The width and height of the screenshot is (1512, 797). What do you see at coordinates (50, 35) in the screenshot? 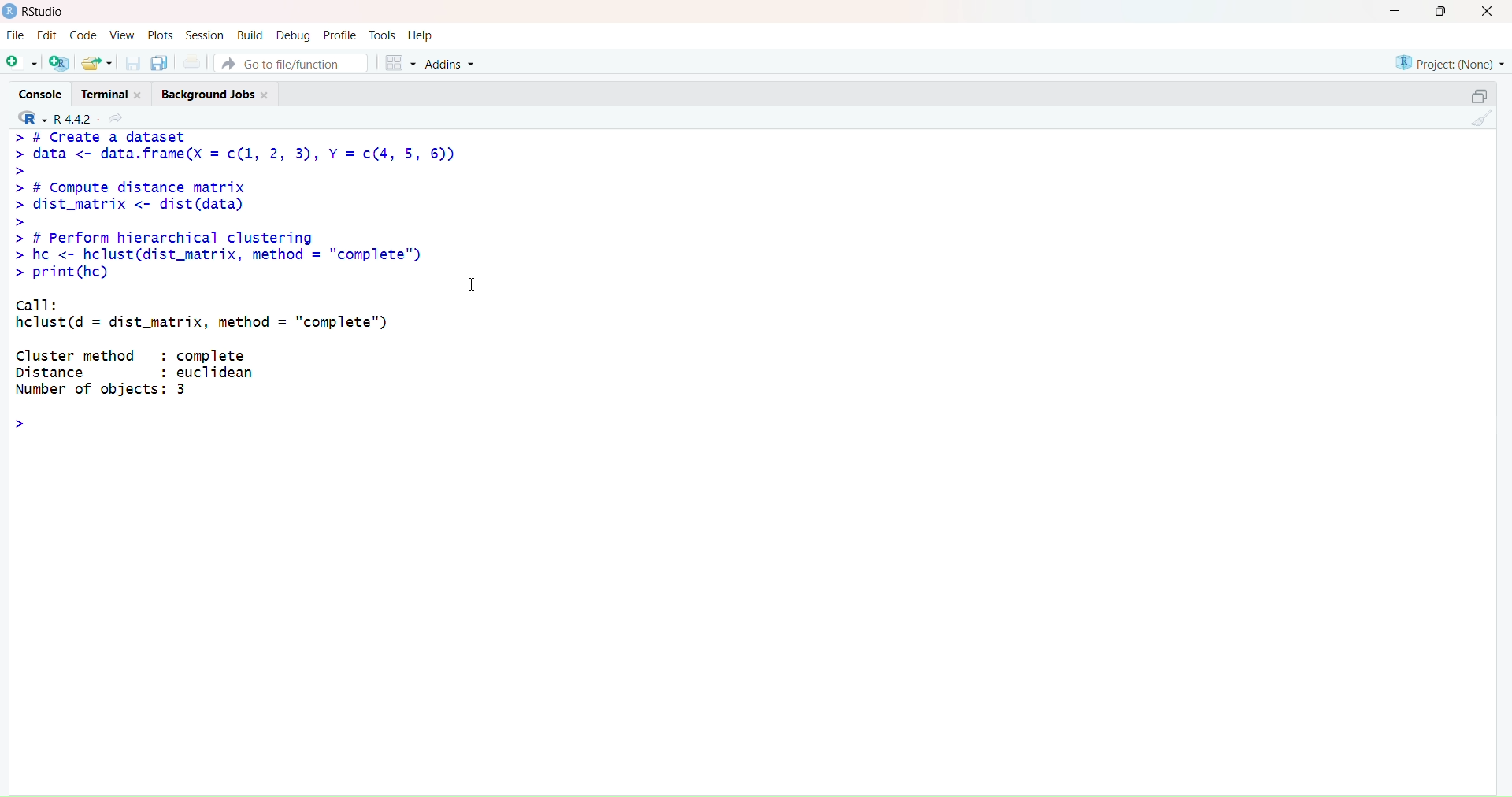
I see `Edit` at bounding box center [50, 35].